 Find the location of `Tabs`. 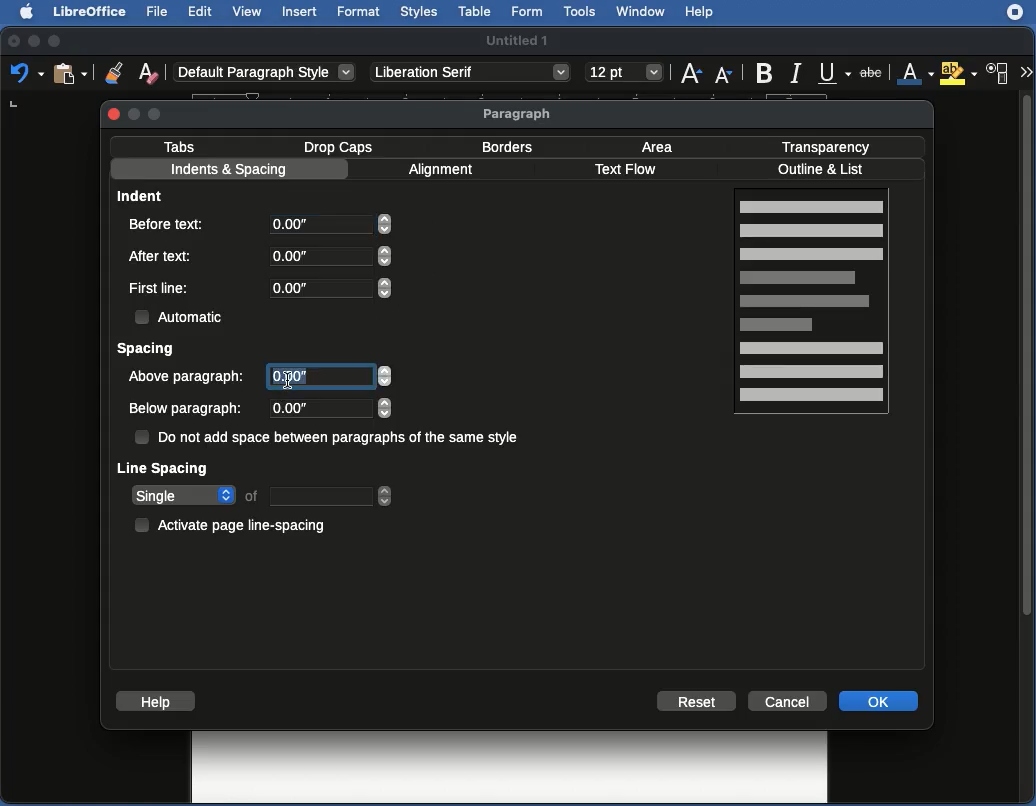

Tabs is located at coordinates (180, 146).